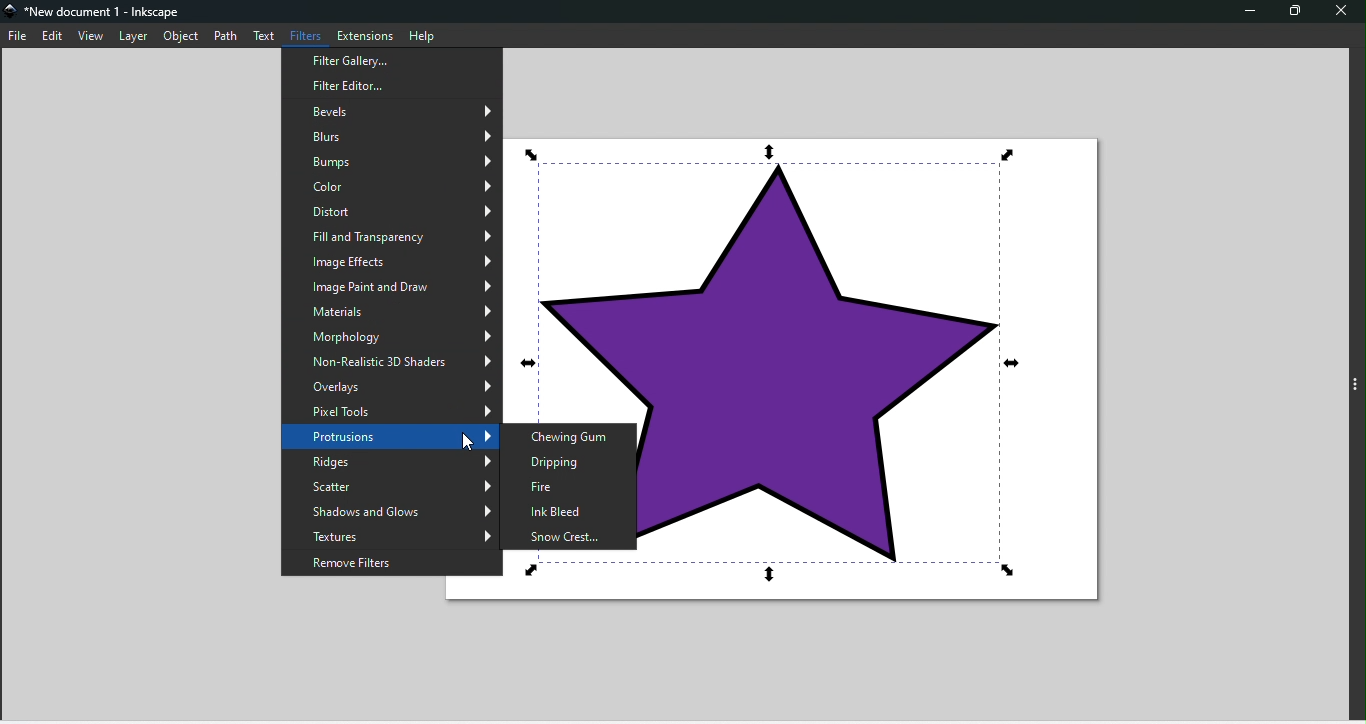  Describe the element at coordinates (1294, 10) in the screenshot. I see `Maximize` at that location.